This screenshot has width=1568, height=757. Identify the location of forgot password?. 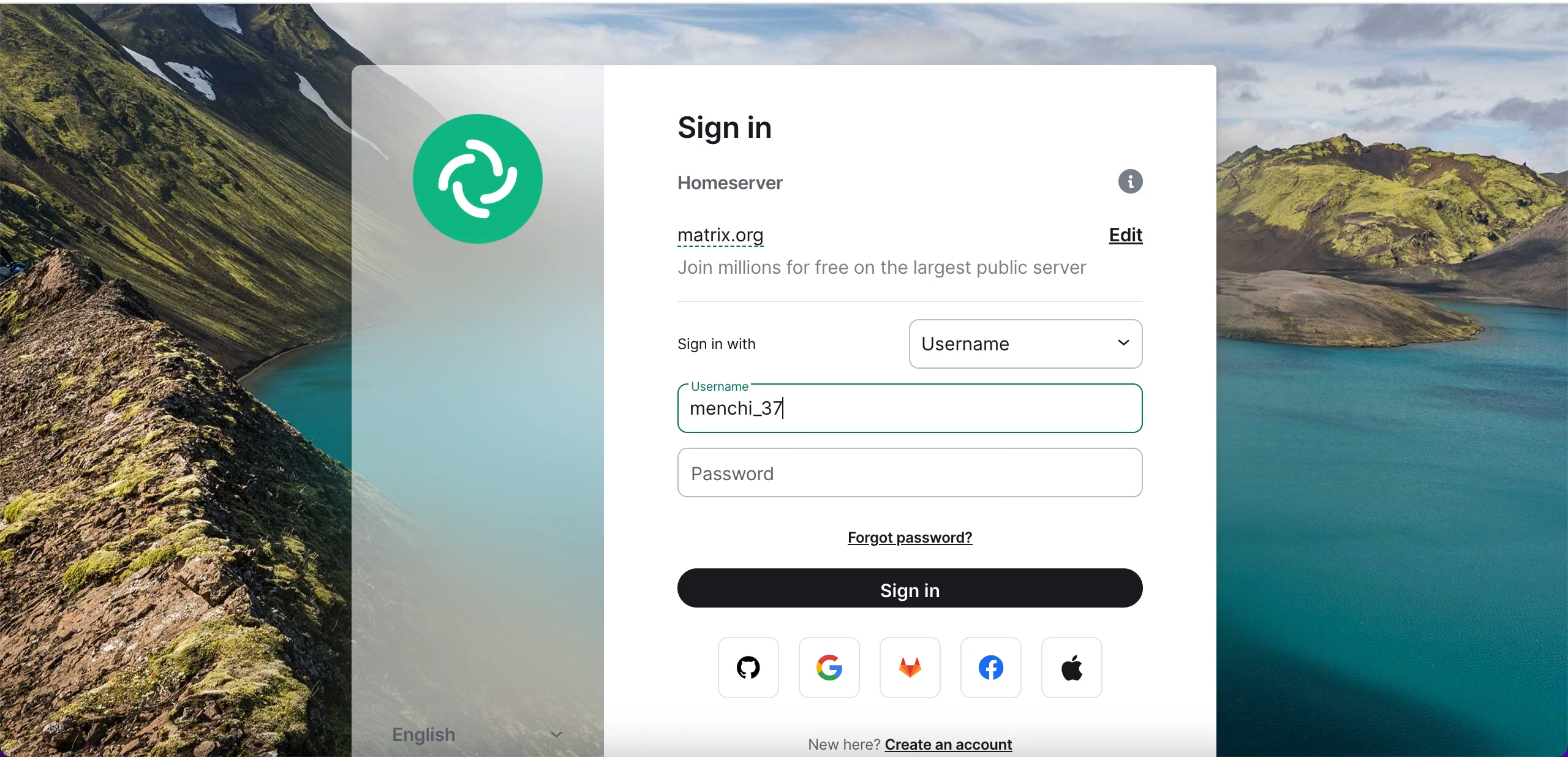
(944, 538).